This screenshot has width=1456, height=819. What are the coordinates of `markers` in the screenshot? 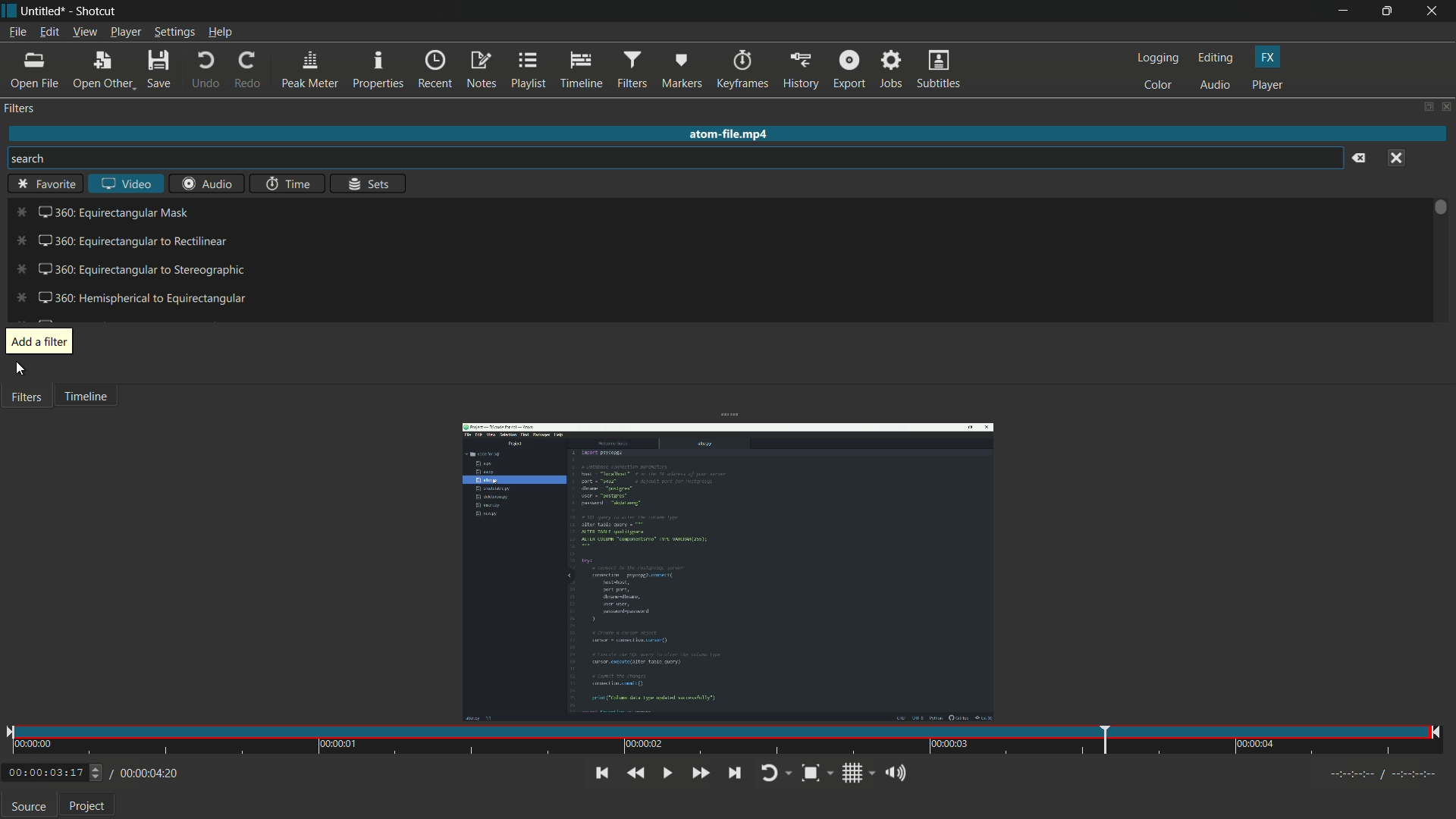 It's located at (679, 72).